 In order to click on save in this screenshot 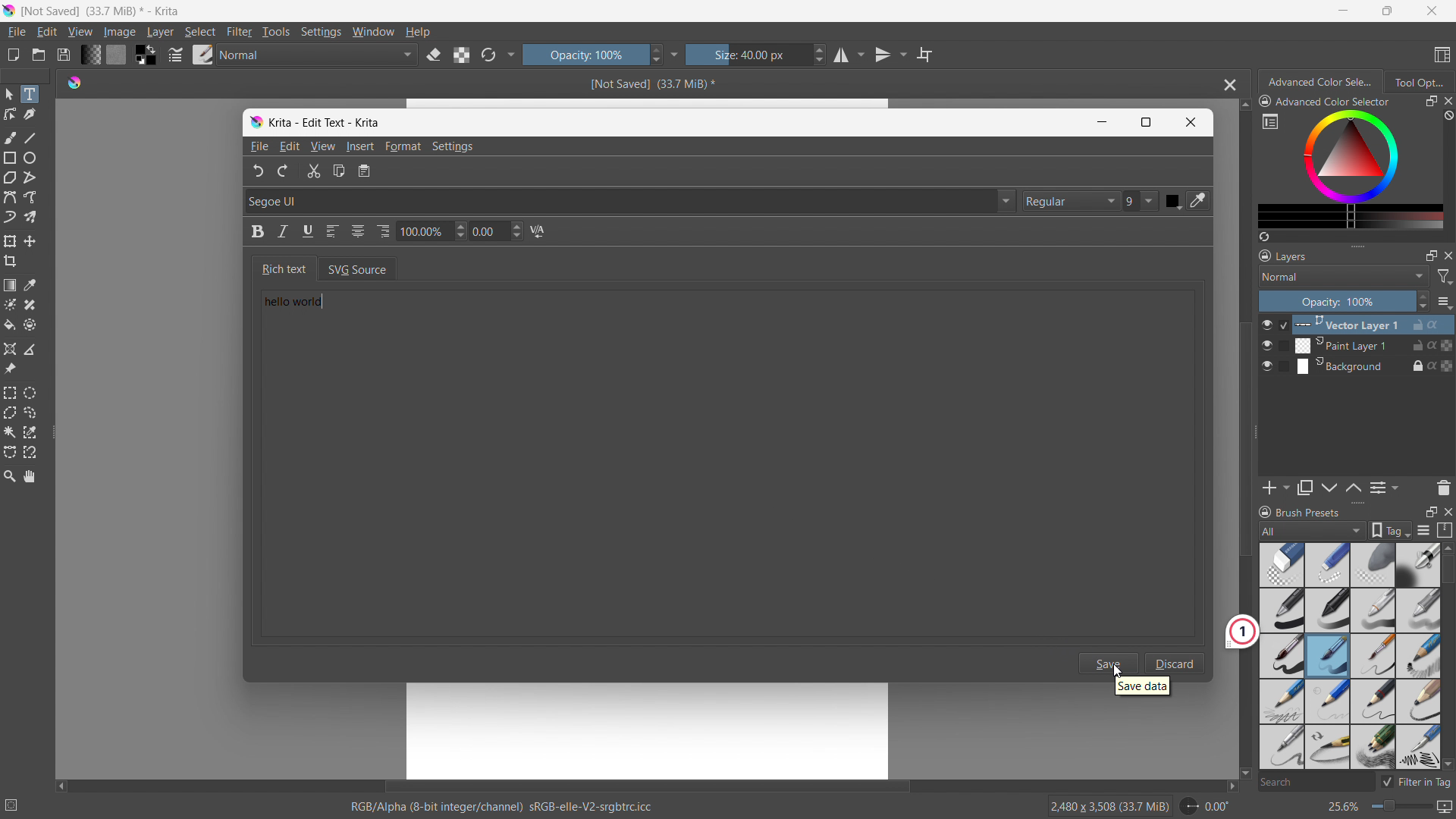, I will do `click(1109, 663)`.